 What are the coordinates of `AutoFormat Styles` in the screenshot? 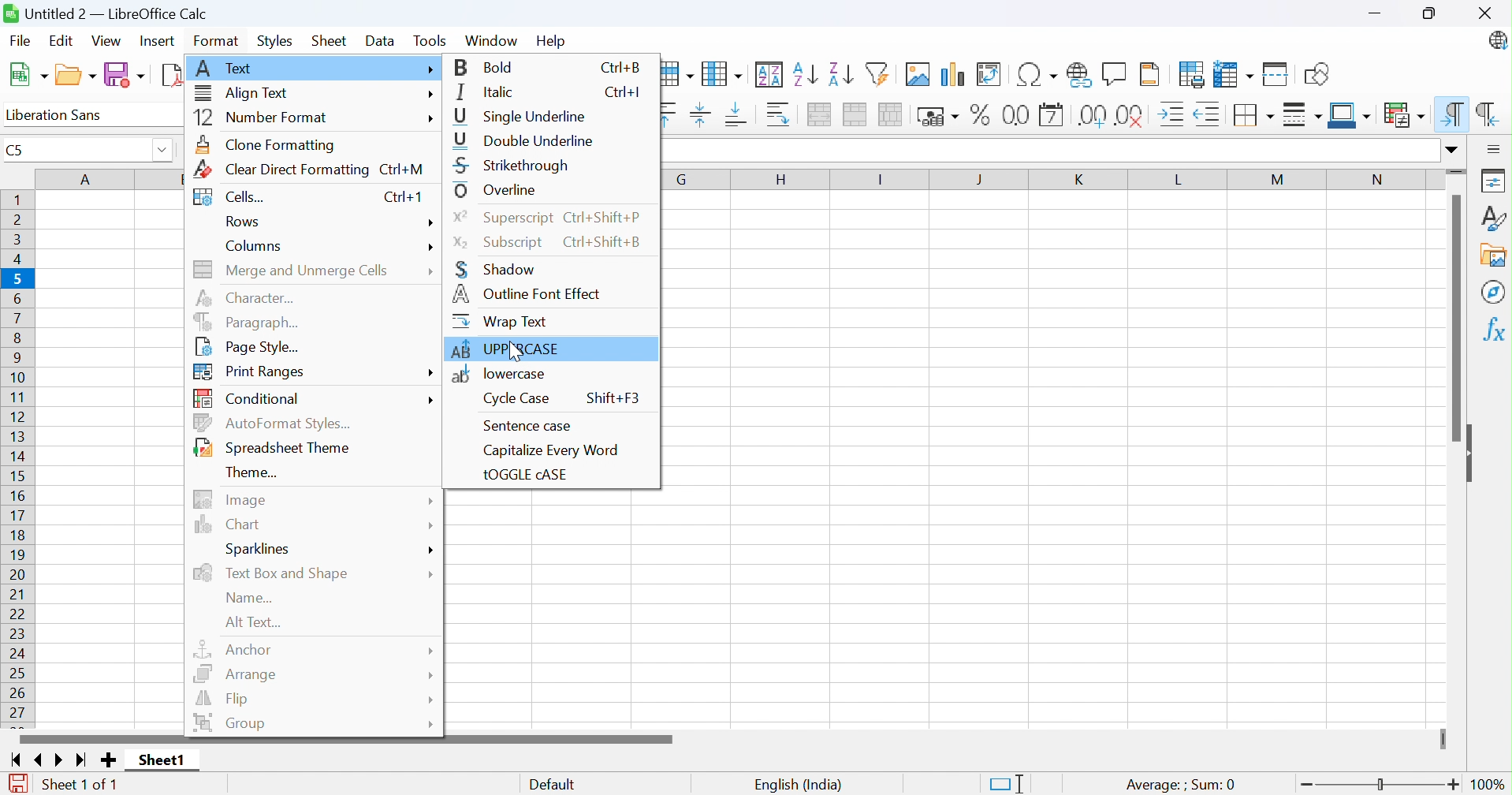 It's located at (277, 422).